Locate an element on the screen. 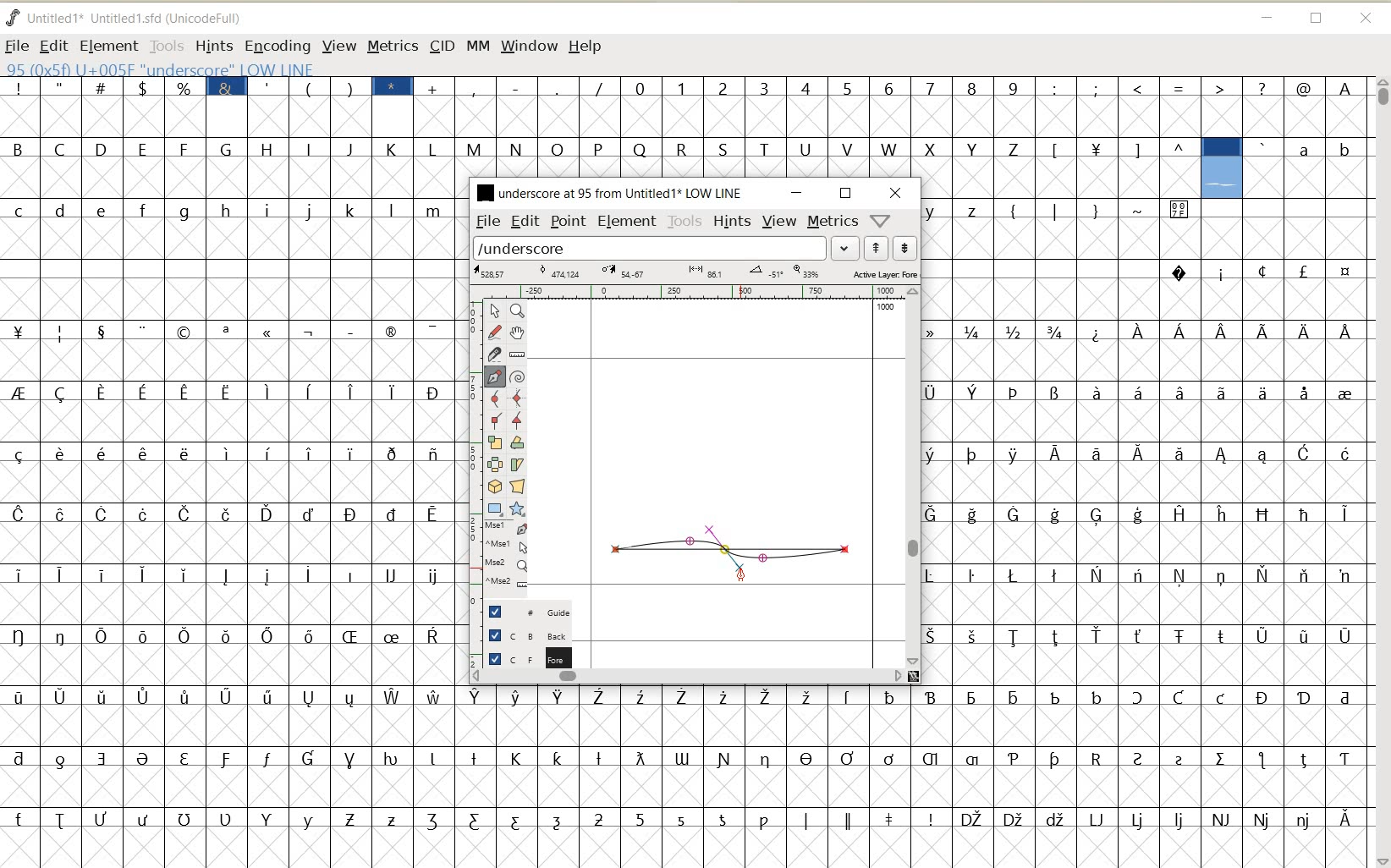 The height and width of the screenshot is (868, 1391). GUIDE is located at coordinates (525, 610).